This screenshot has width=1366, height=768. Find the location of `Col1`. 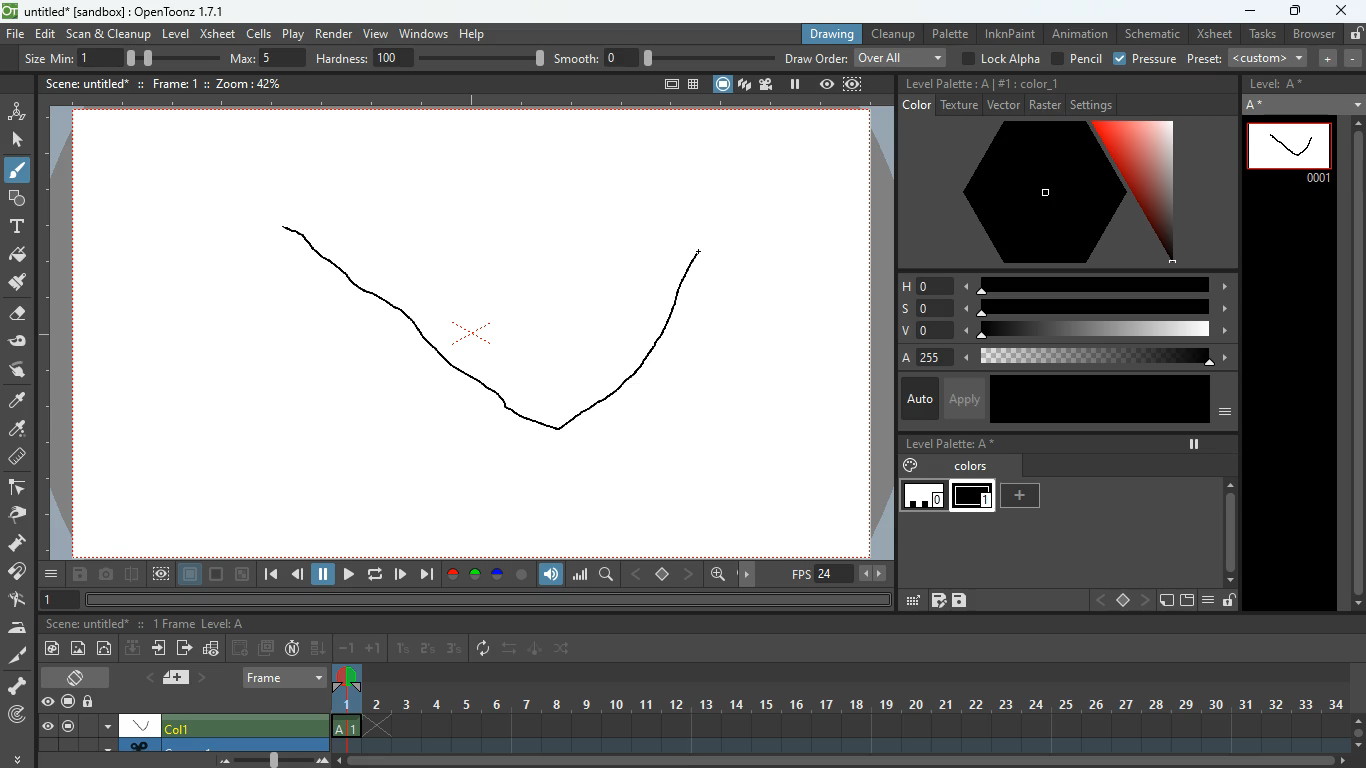

Col1 is located at coordinates (186, 728).